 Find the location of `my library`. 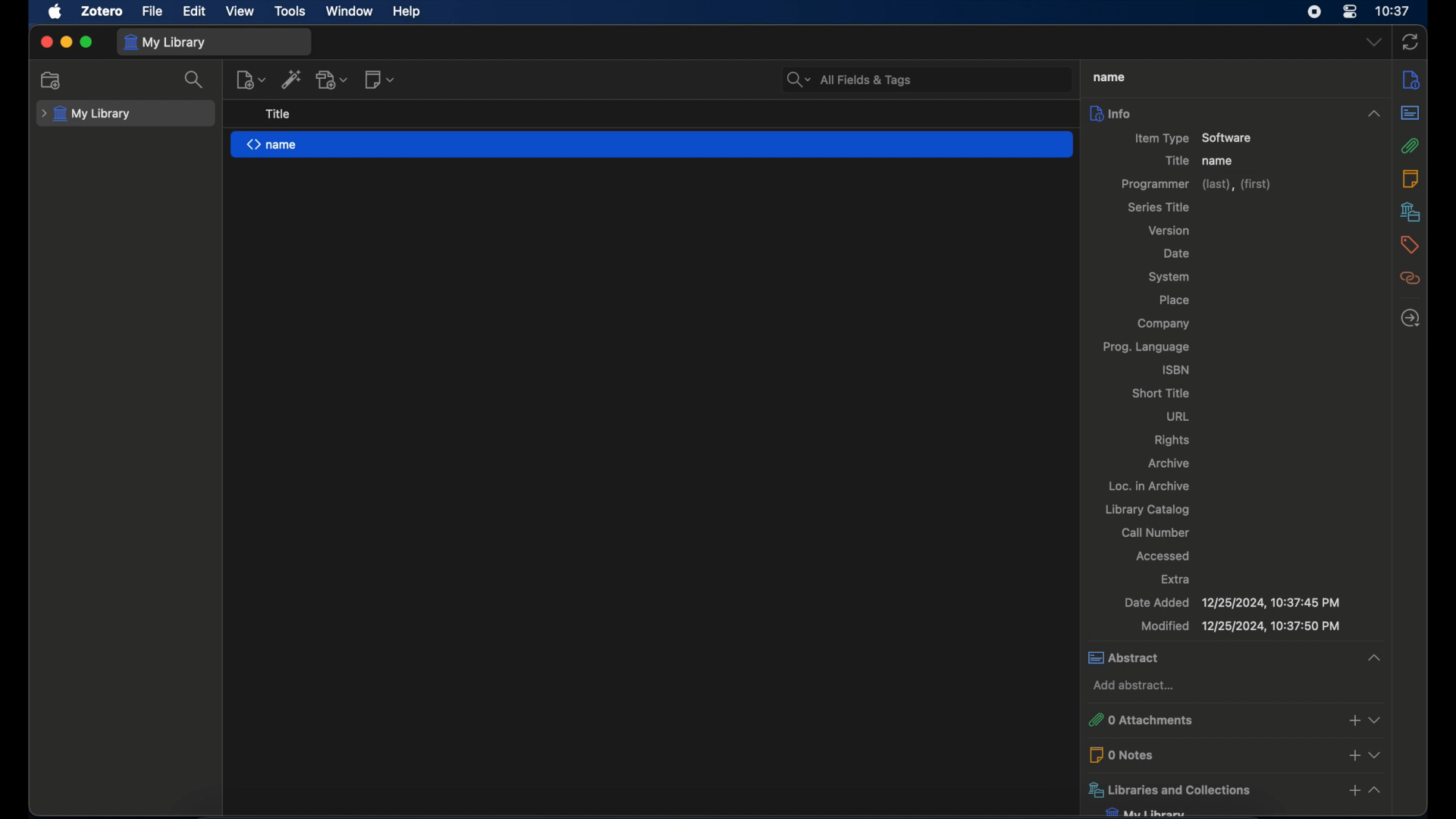

my library is located at coordinates (86, 114).